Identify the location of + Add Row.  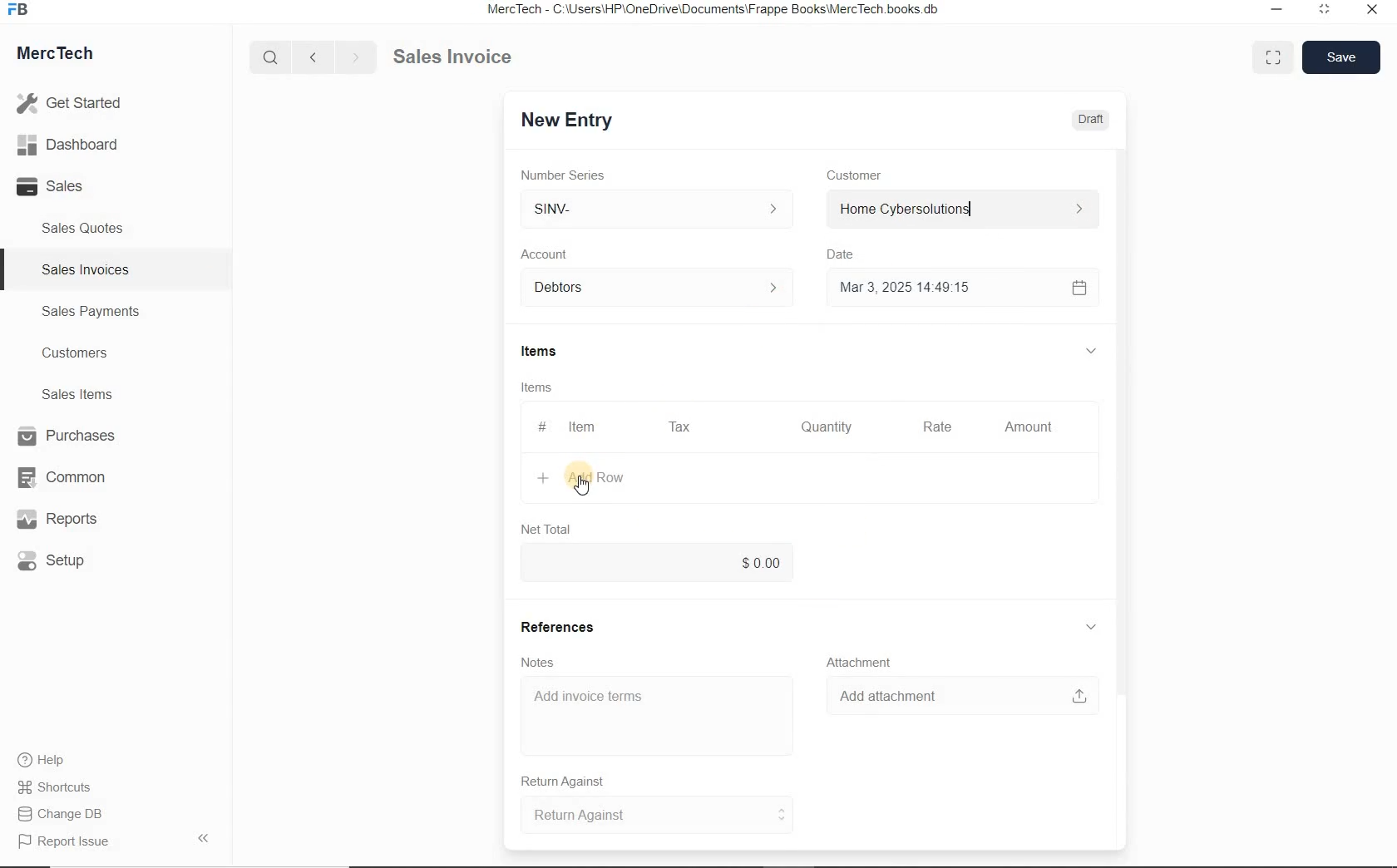
(590, 478).